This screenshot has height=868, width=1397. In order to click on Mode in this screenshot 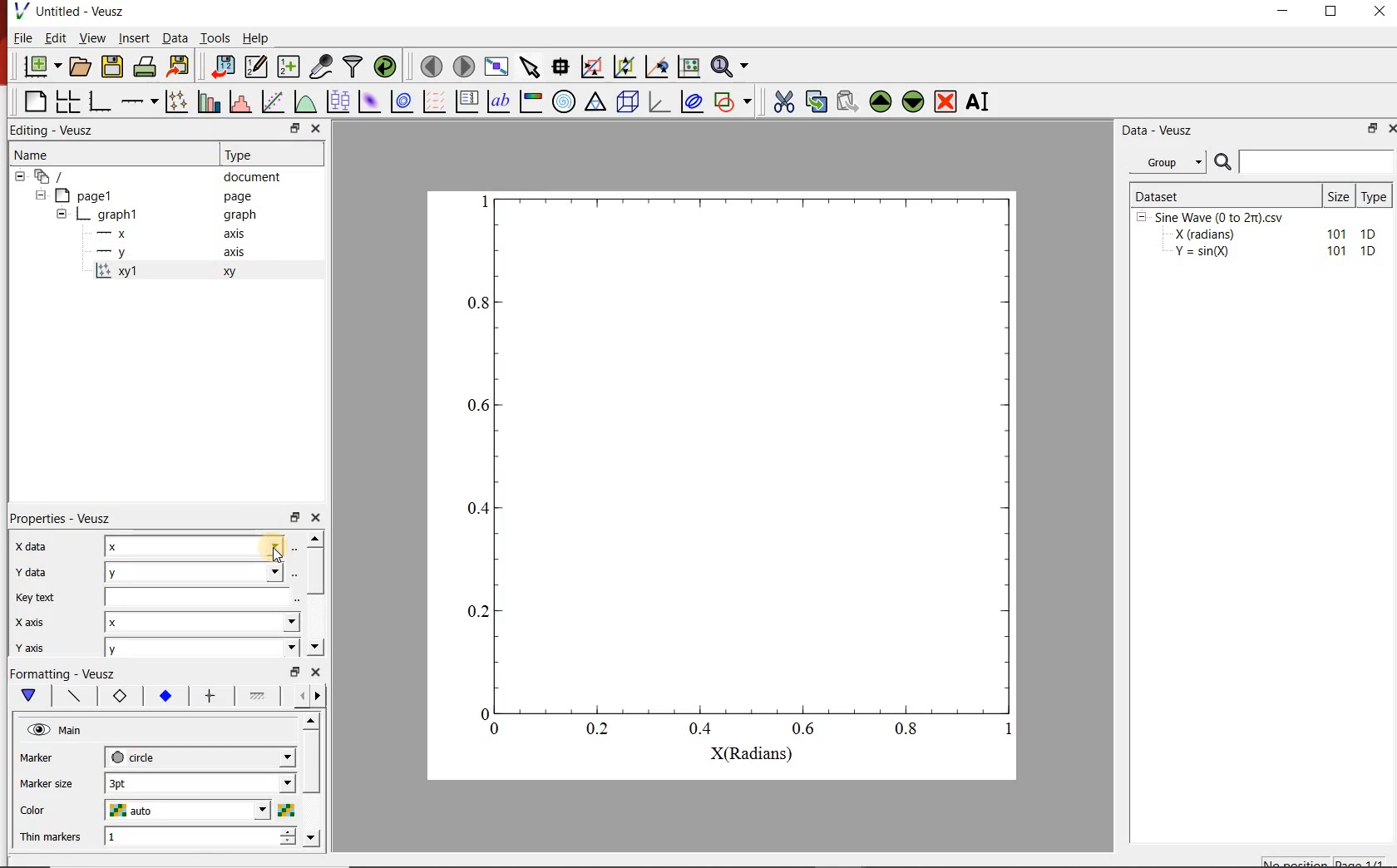, I will do `click(29, 644)`.